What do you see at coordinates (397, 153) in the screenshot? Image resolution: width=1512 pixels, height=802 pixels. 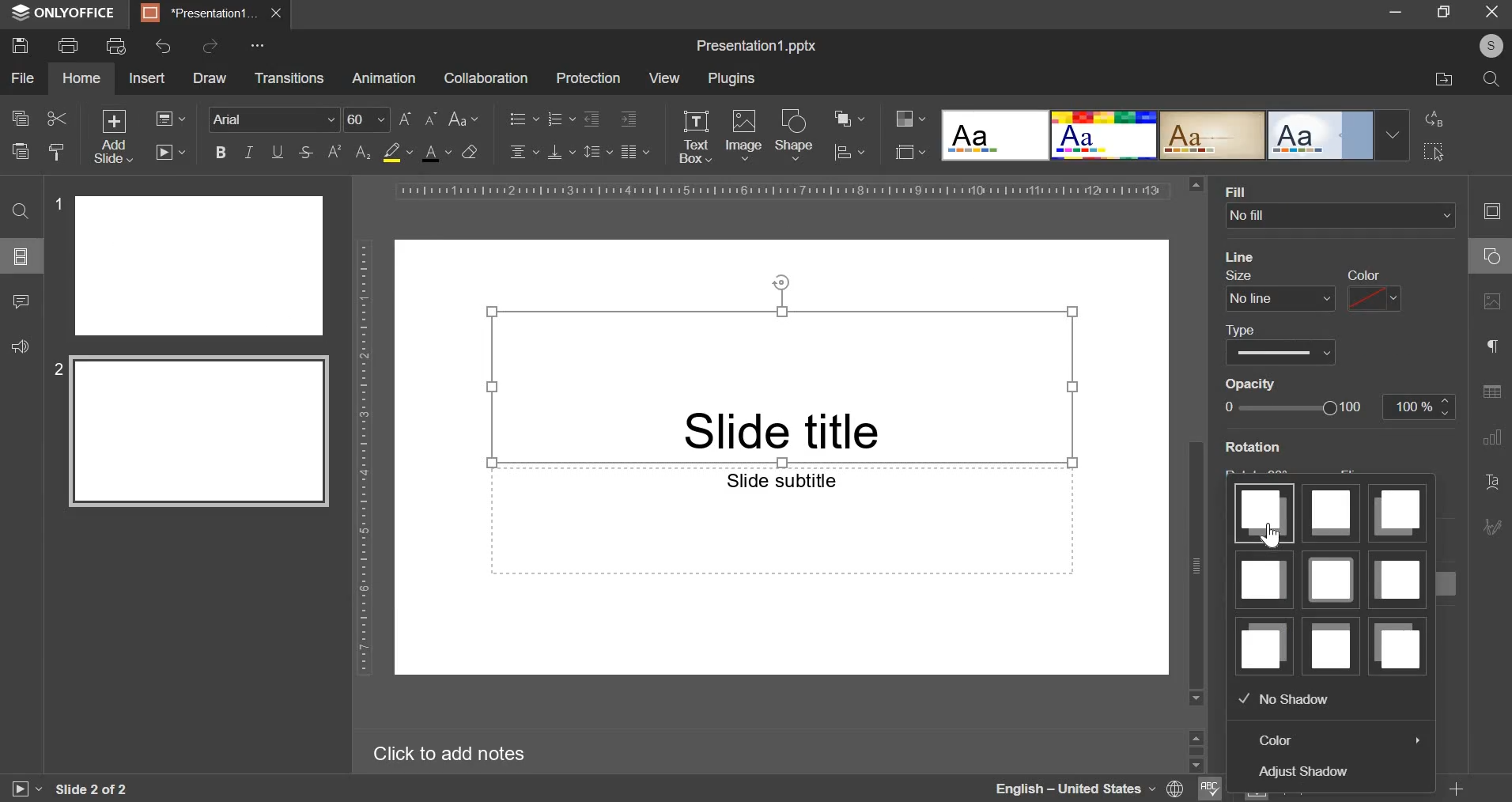 I see `fill color` at bounding box center [397, 153].